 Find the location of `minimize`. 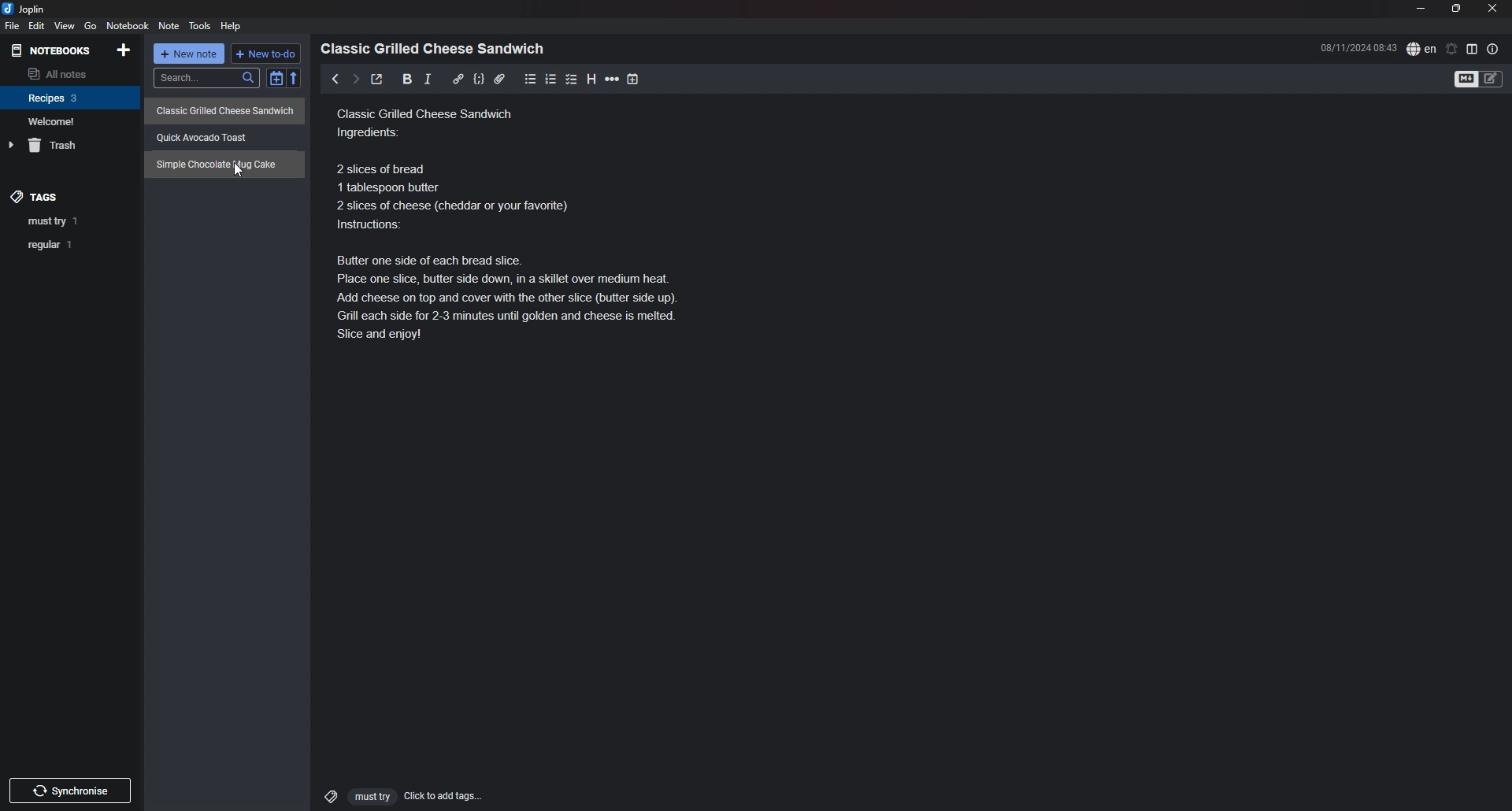

minimize is located at coordinates (1421, 9).